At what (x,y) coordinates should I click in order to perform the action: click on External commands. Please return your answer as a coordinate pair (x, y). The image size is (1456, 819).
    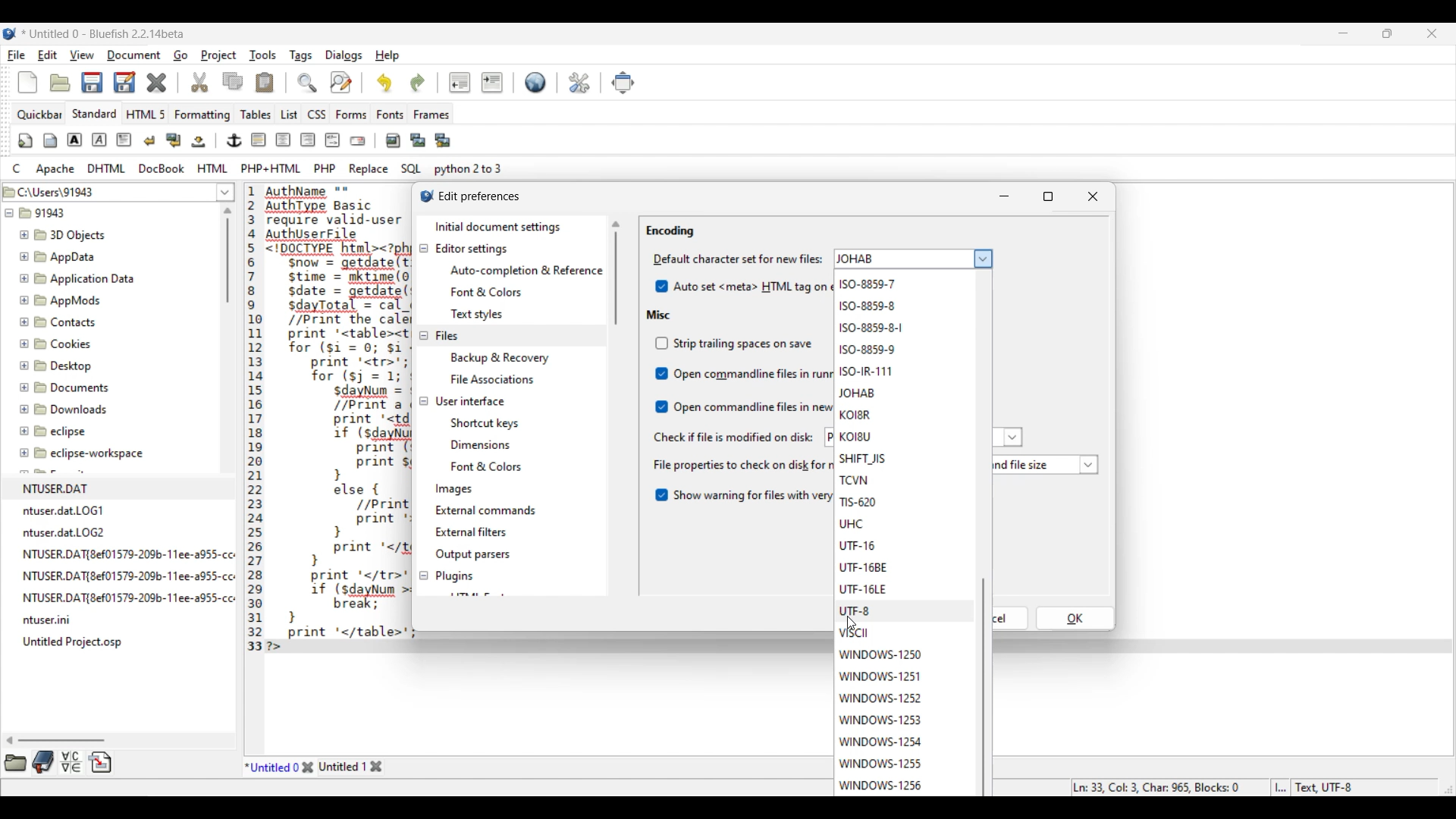
    Looking at the image, I should click on (487, 510).